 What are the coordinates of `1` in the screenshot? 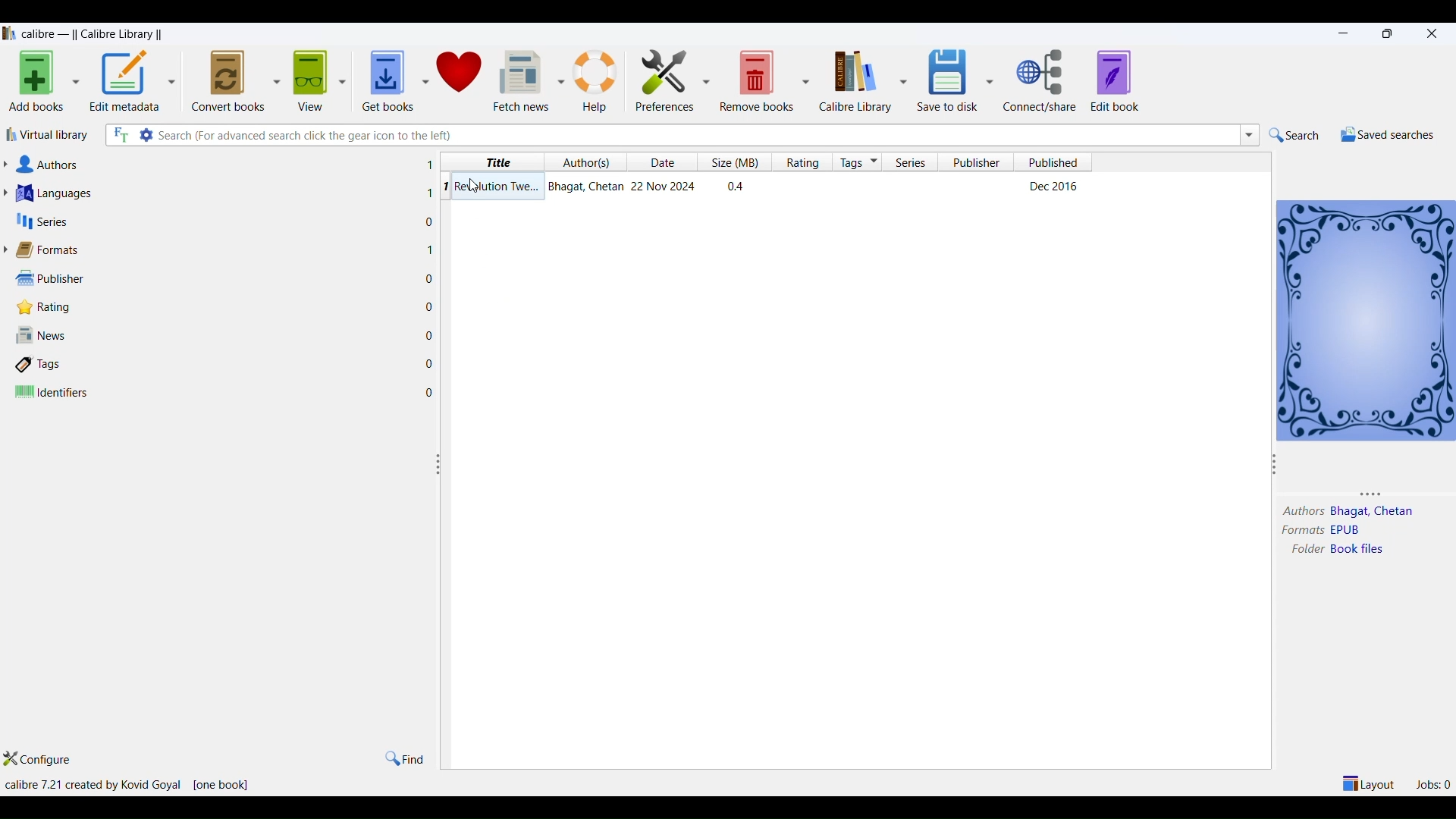 It's located at (429, 165).